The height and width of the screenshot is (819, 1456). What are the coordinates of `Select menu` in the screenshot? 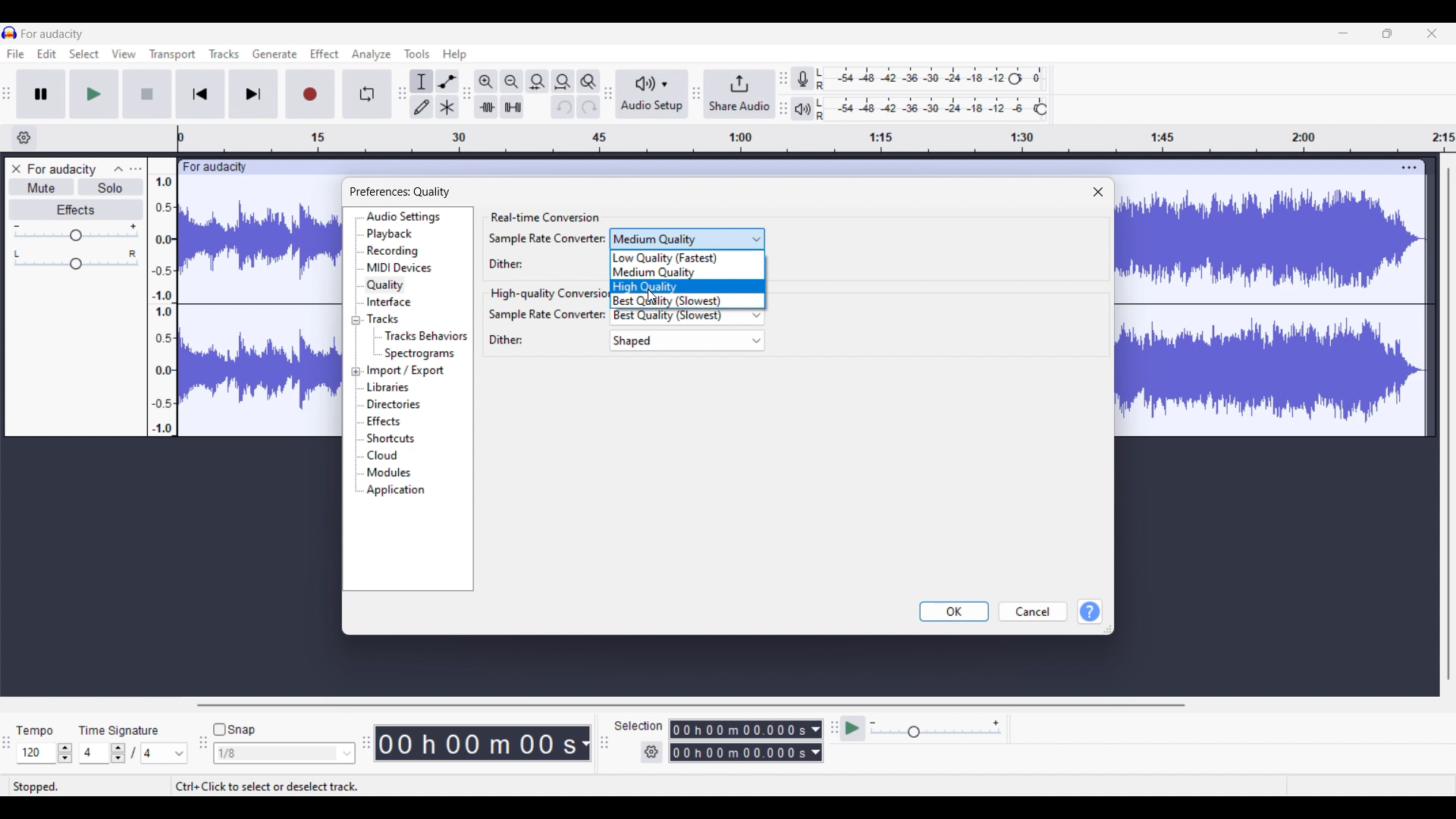 It's located at (84, 53).